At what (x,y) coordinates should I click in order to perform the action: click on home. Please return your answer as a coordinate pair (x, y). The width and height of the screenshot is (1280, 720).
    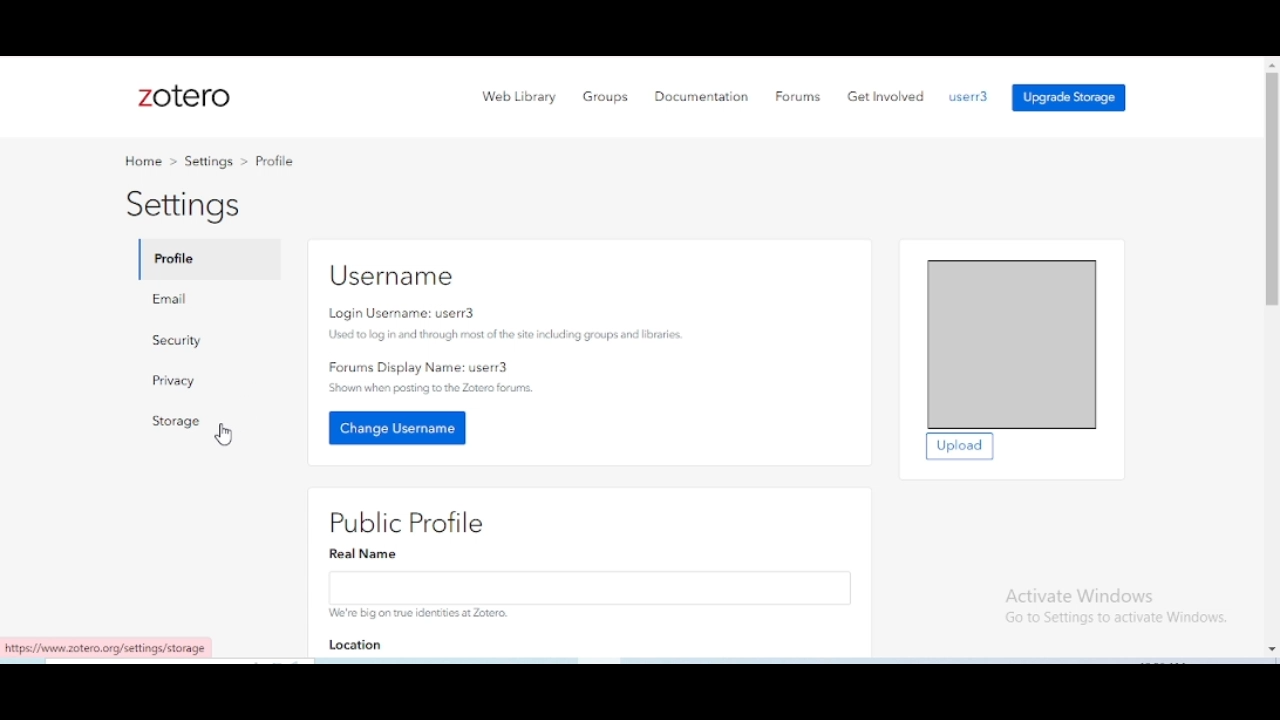
    Looking at the image, I should click on (143, 161).